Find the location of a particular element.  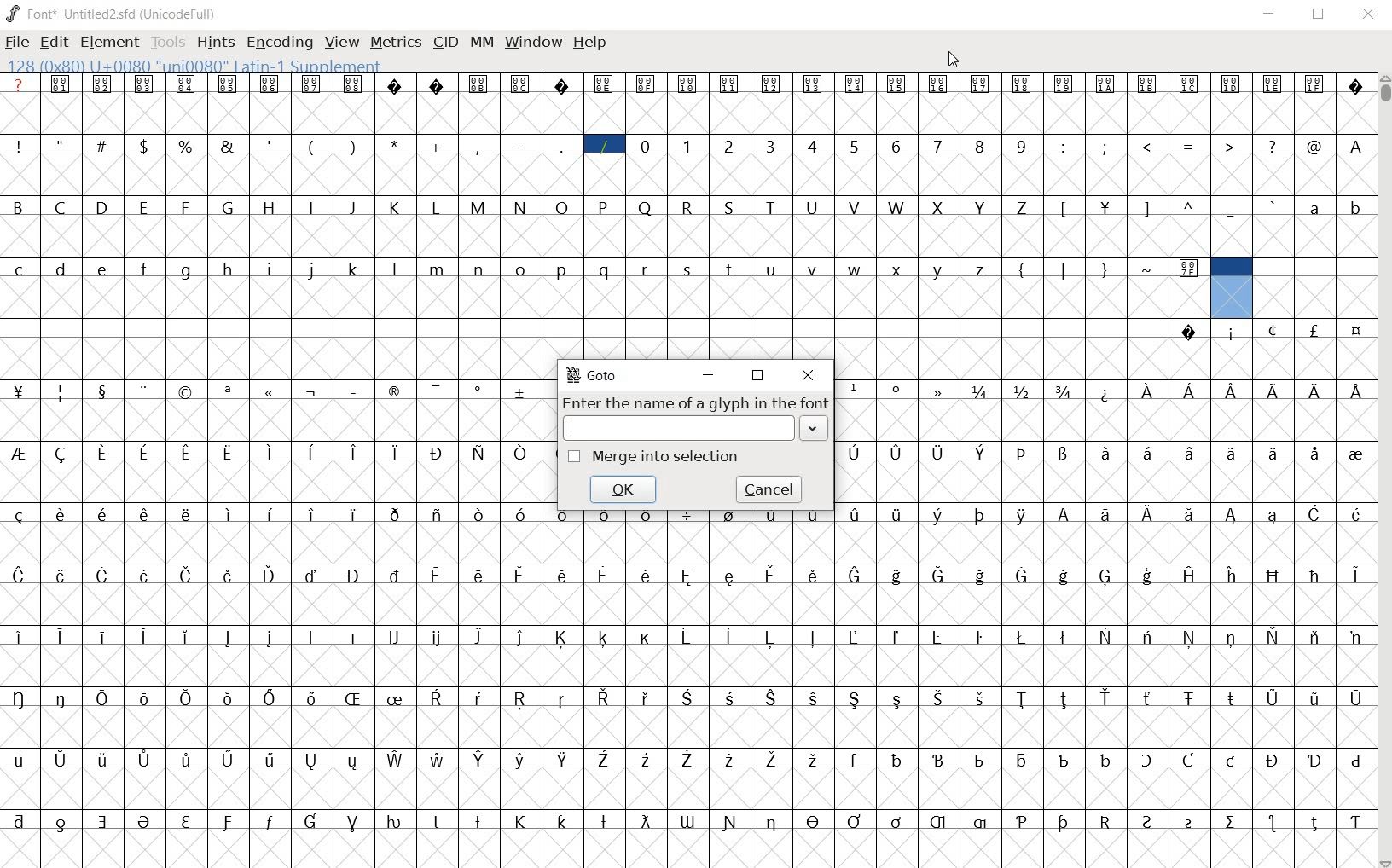

U is located at coordinates (815, 207).